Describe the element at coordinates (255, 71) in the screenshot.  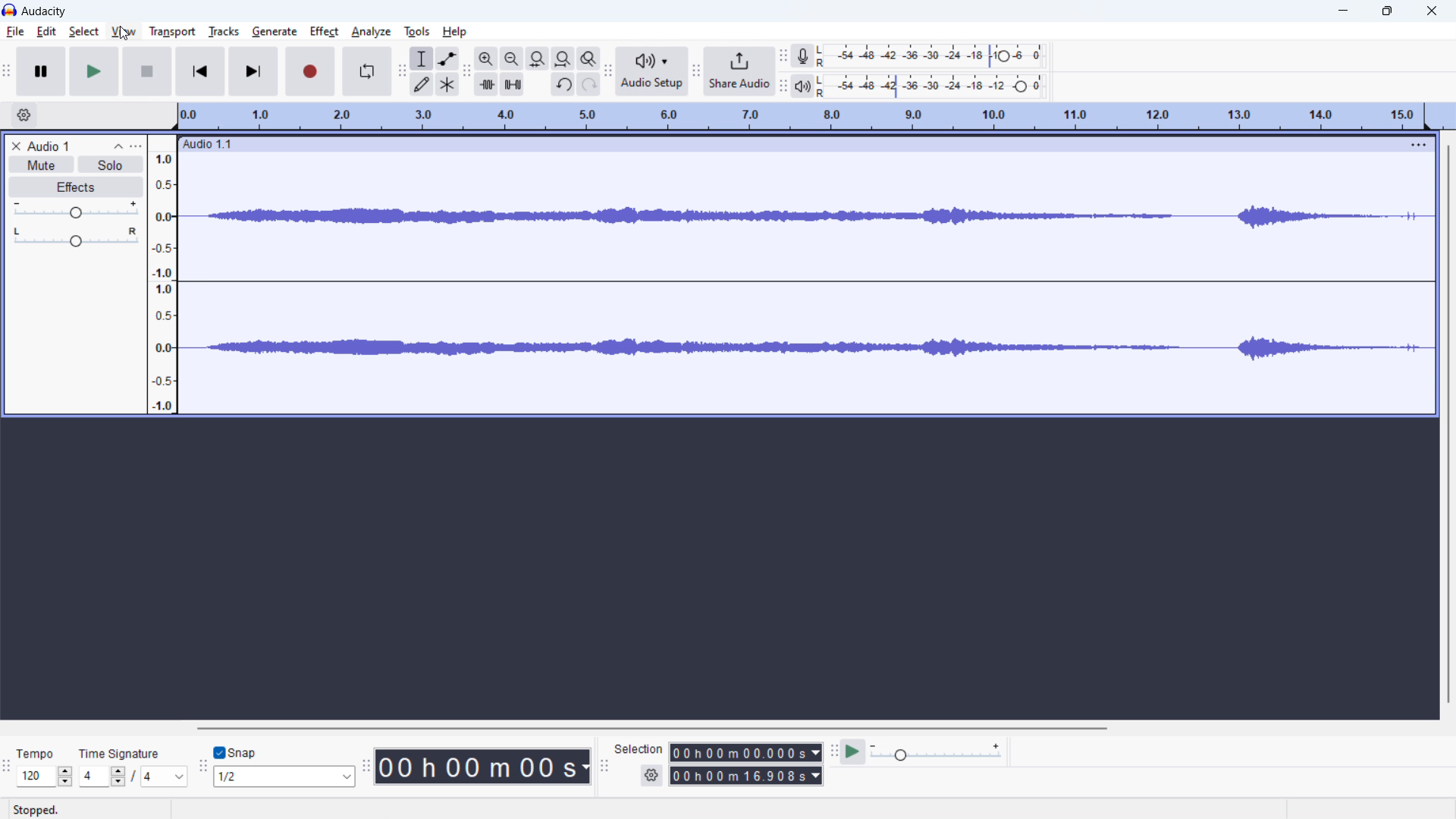
I see `skip to end` at that location.